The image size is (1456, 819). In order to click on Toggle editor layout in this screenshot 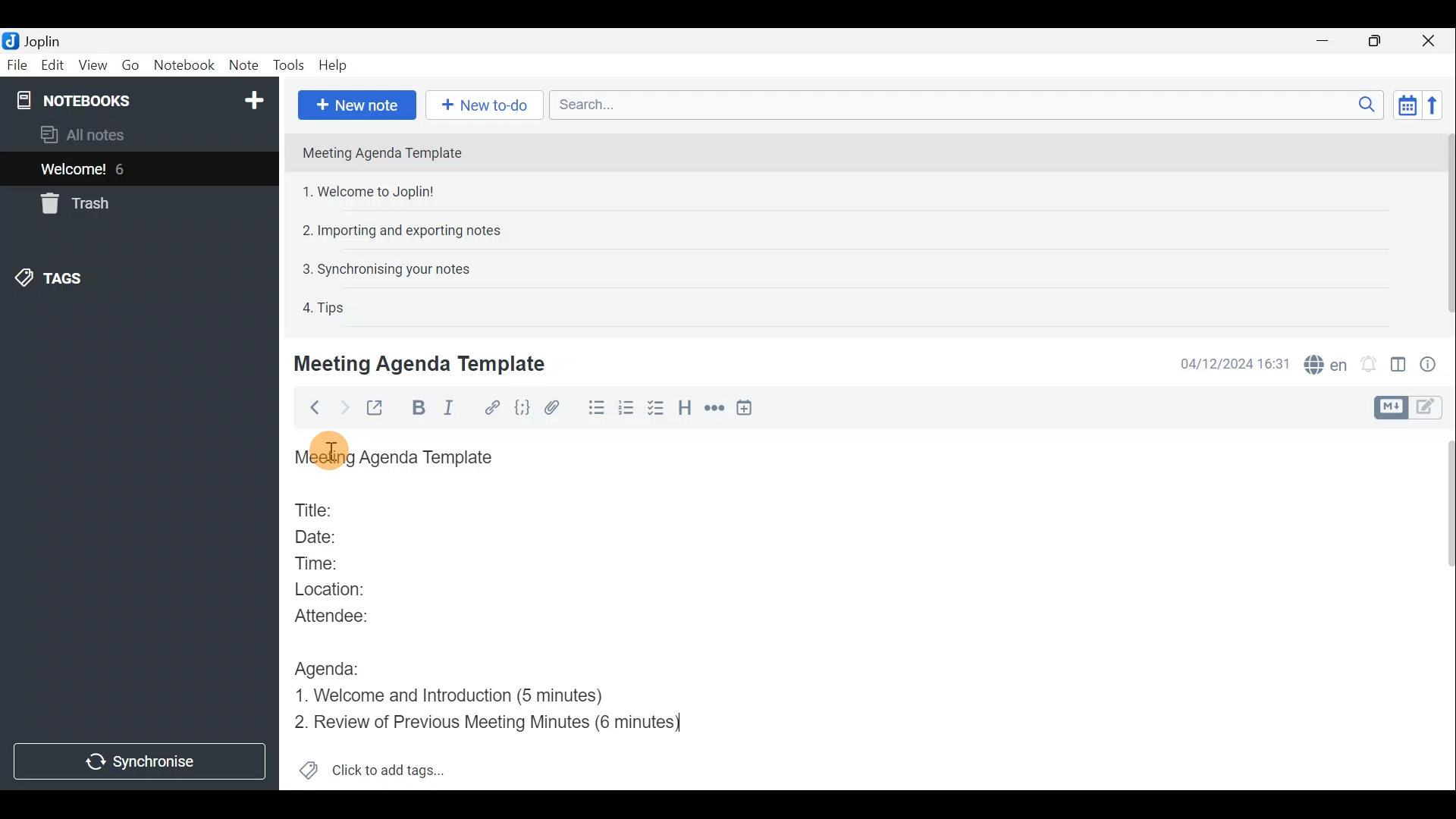, I will do `click(1399, 367)`.